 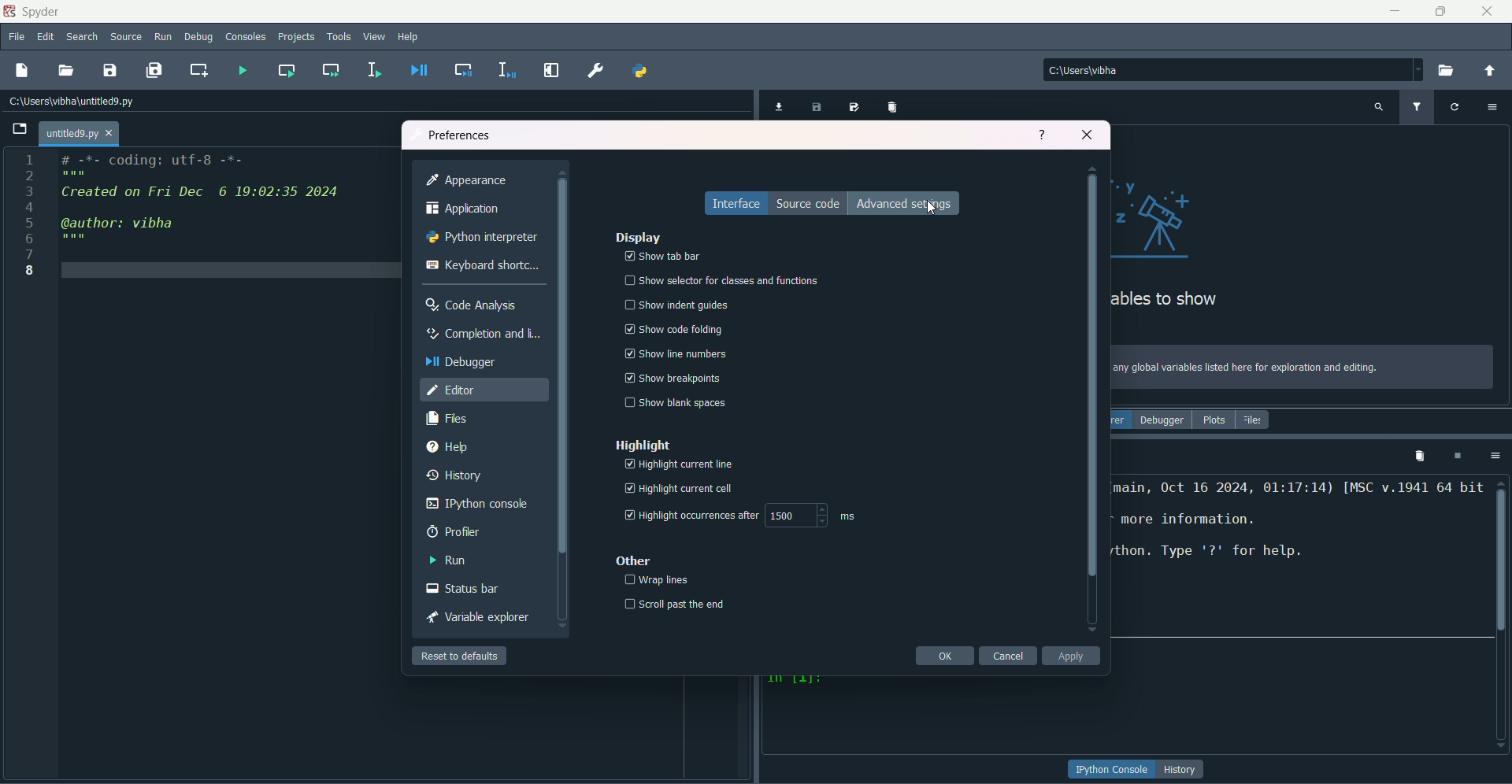 What do you see at coordinates (903, 204) in the screenshot?
I see `advanced settings` at bounding box center [903, 204].